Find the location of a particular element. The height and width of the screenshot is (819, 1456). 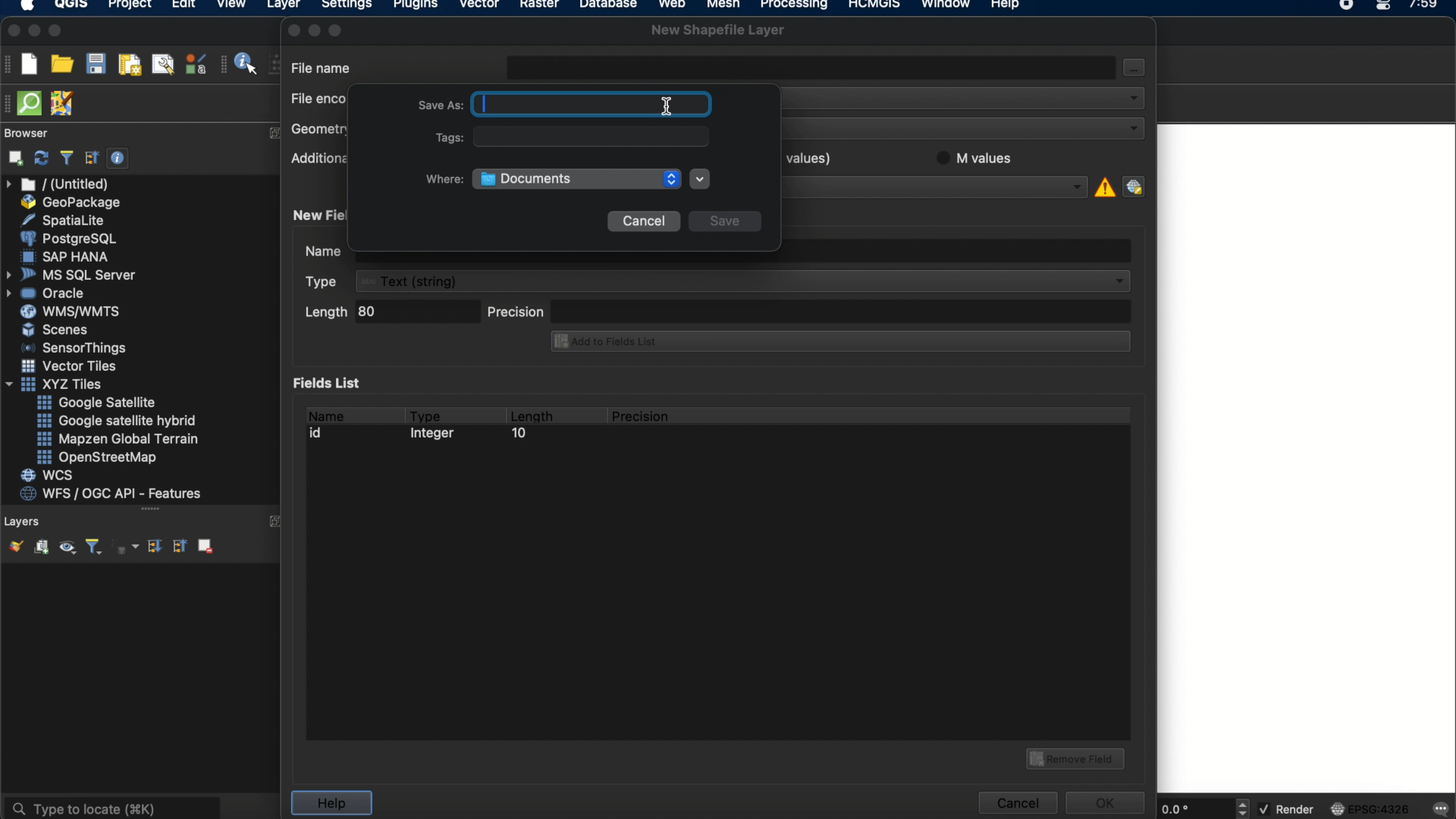

apple logo is located at coordinates (25, 6).